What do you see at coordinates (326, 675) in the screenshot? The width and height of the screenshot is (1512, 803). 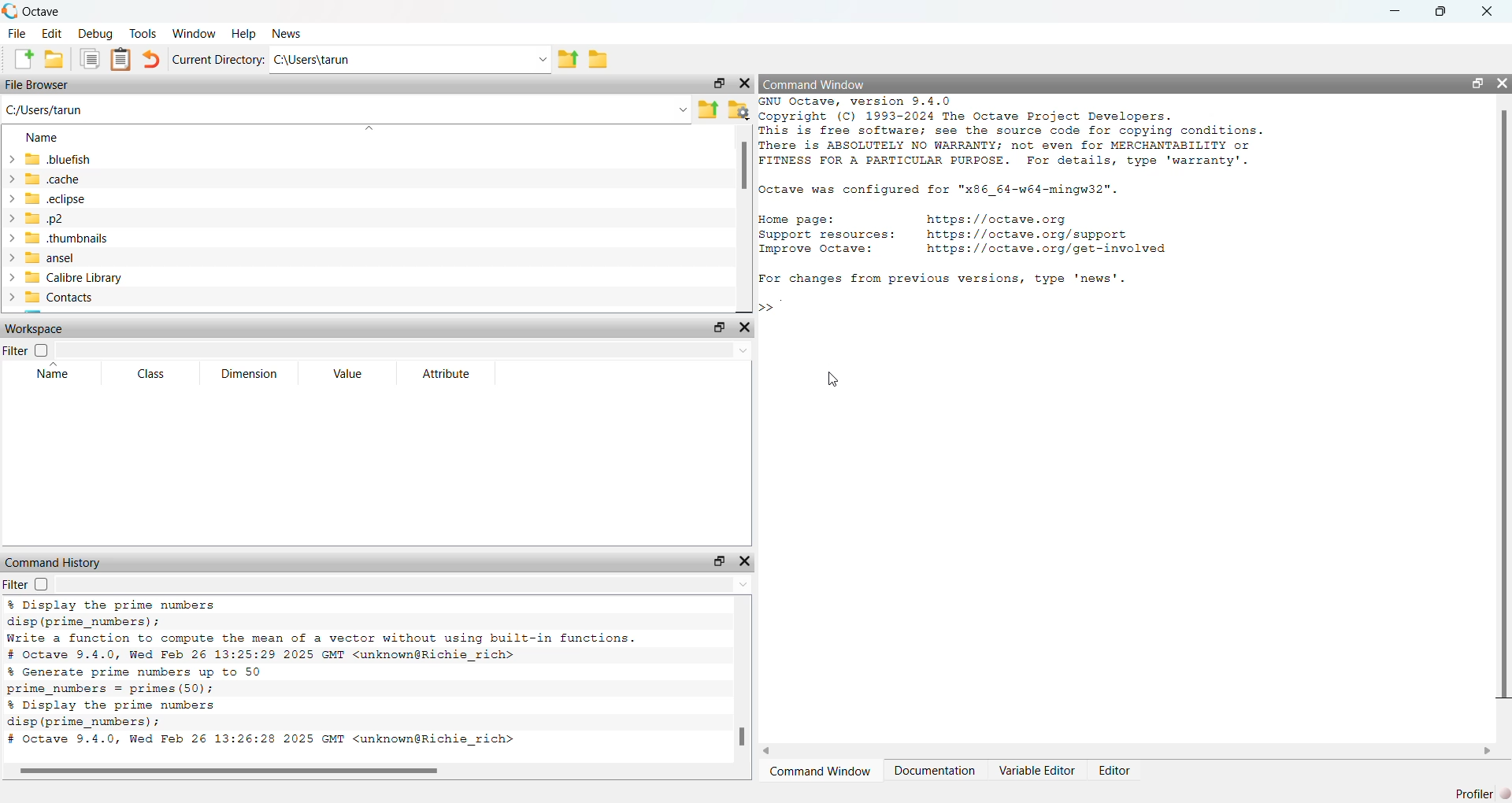 I see `% Display the prime numbers

disp (prime_numbers) ;

Write a function to compute the mean of a vector without using built-in functions.
# Octave 9.4.0, Wed Feb 26 13:25:29 2025 GMT <unknown@Richie_rich>

% Generate prime numbers up to 50

prime numbers = primes (50);

% Display the prime numbers

disp (prime_numbers) ;

# Octave 9.4.0, Wed Feb 26 13:26:28 2025 GMT <unknown@Richie_rich>` at bounding box center [326, 675].